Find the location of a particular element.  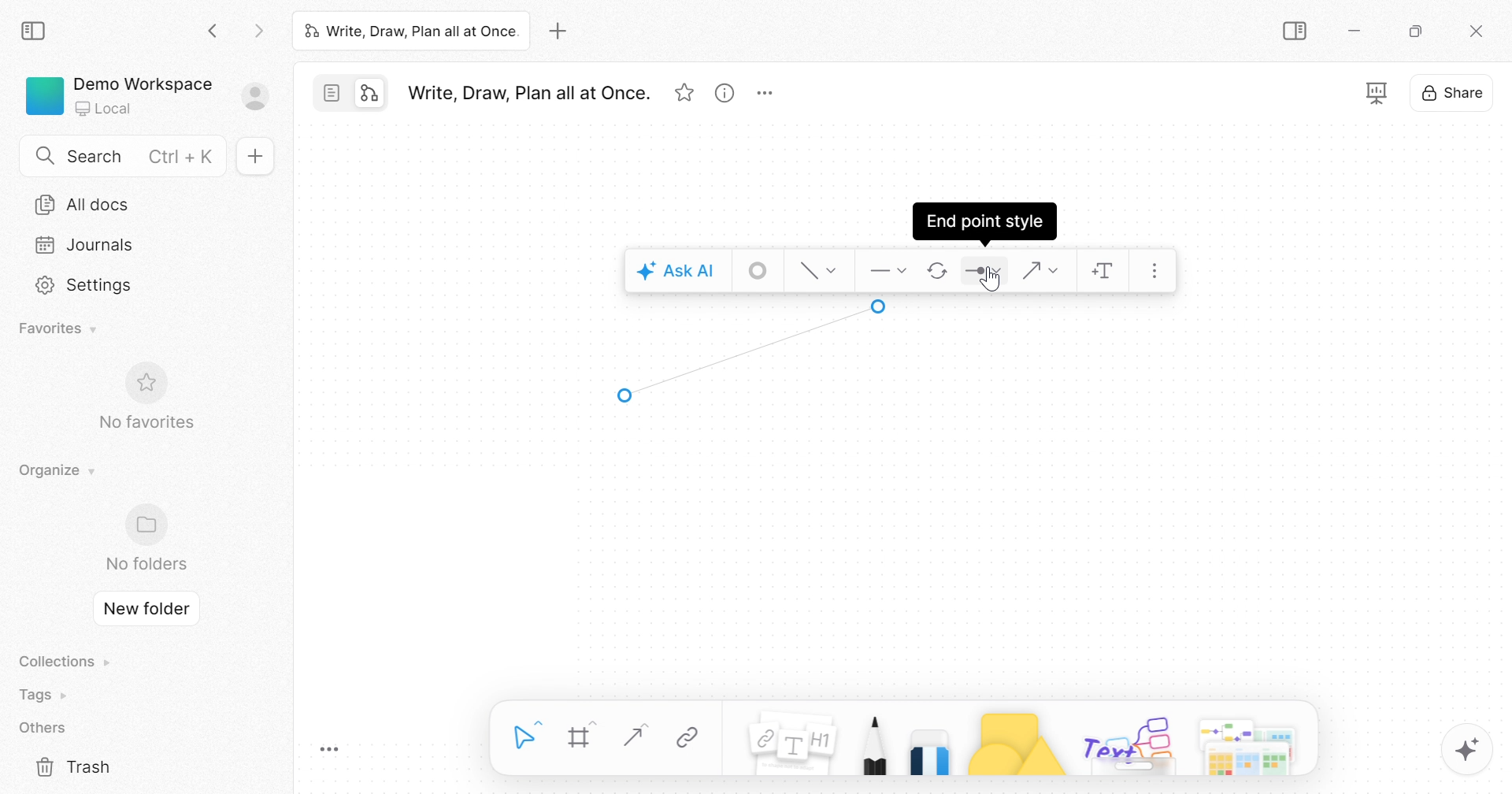

Write, Draw, Plan all at Once. is located at coordinates (410, 30).